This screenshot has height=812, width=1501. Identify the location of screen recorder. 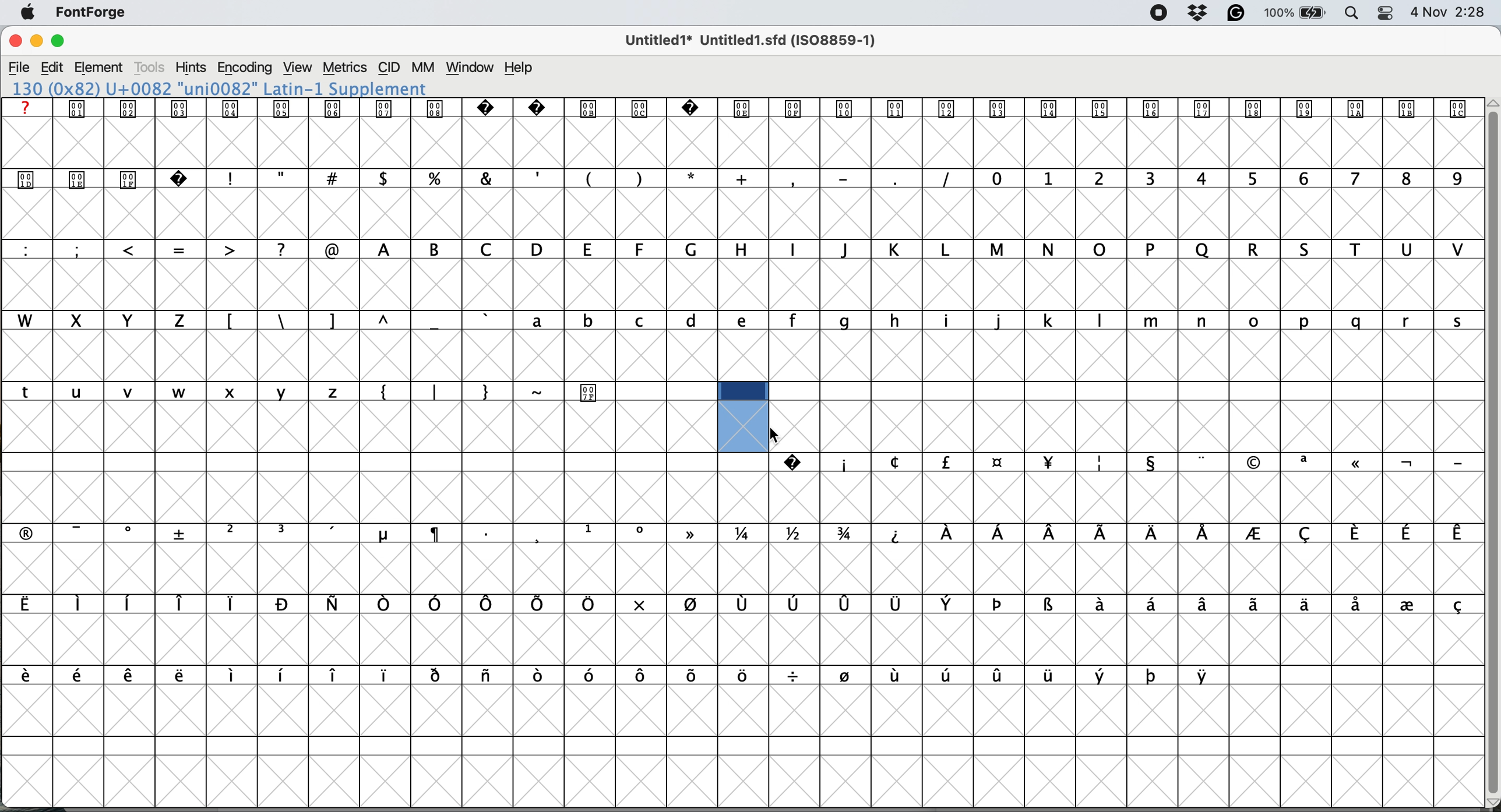
(1160, 13).